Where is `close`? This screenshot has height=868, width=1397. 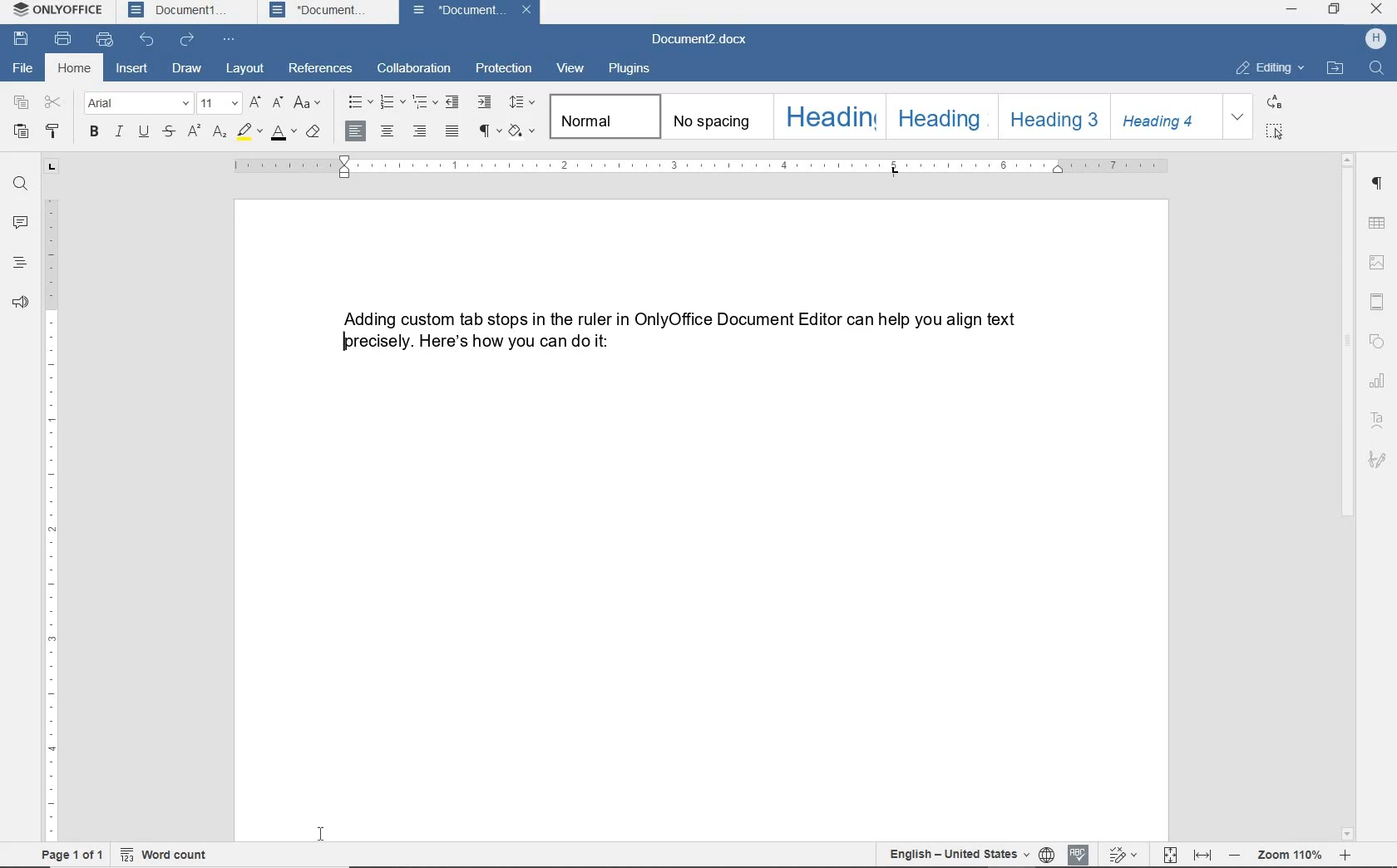
close is located at coordinates (1376, 10).